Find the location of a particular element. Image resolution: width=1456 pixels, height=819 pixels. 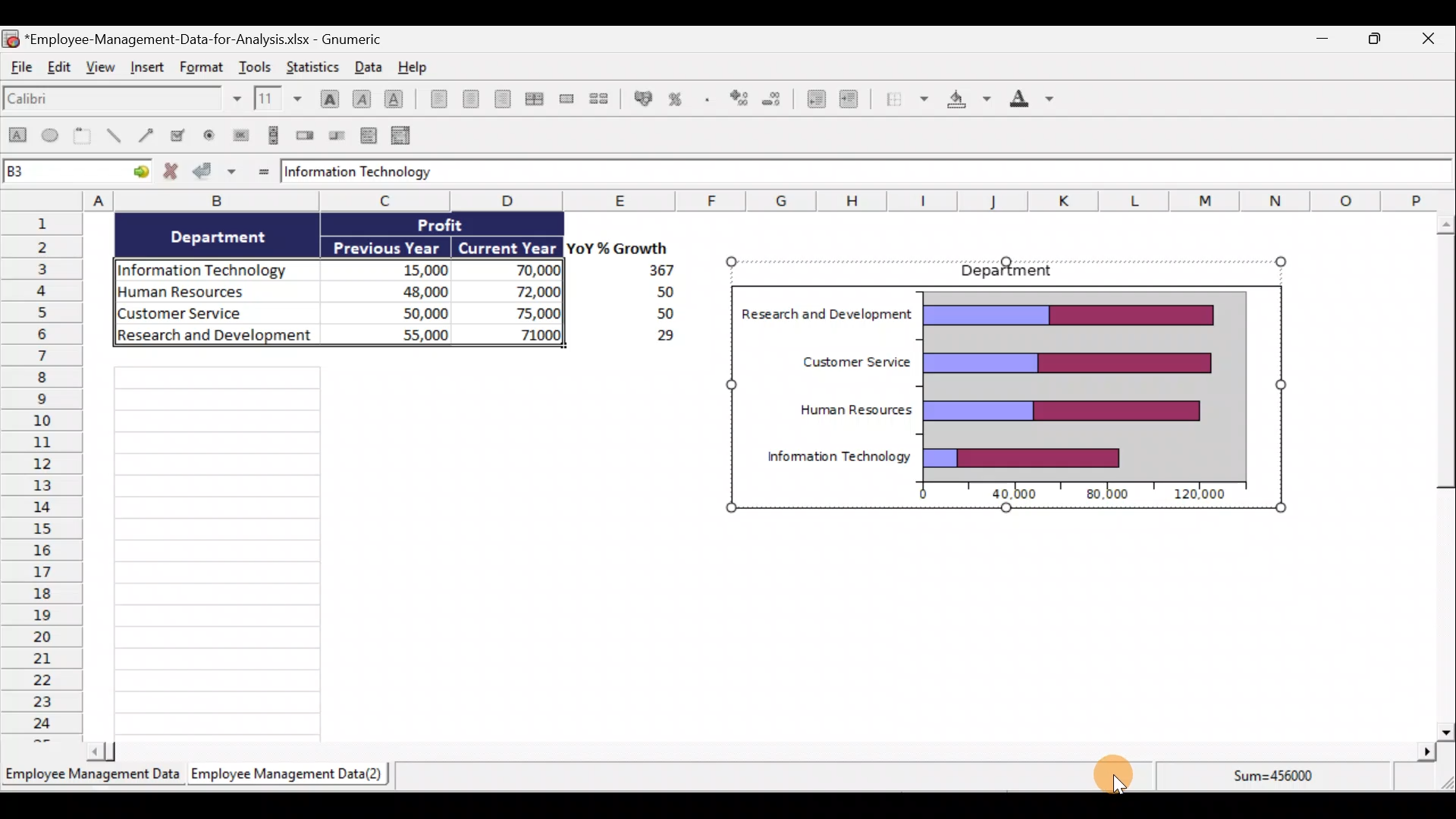

Create an arrow object is located at coordinates (149, 133).